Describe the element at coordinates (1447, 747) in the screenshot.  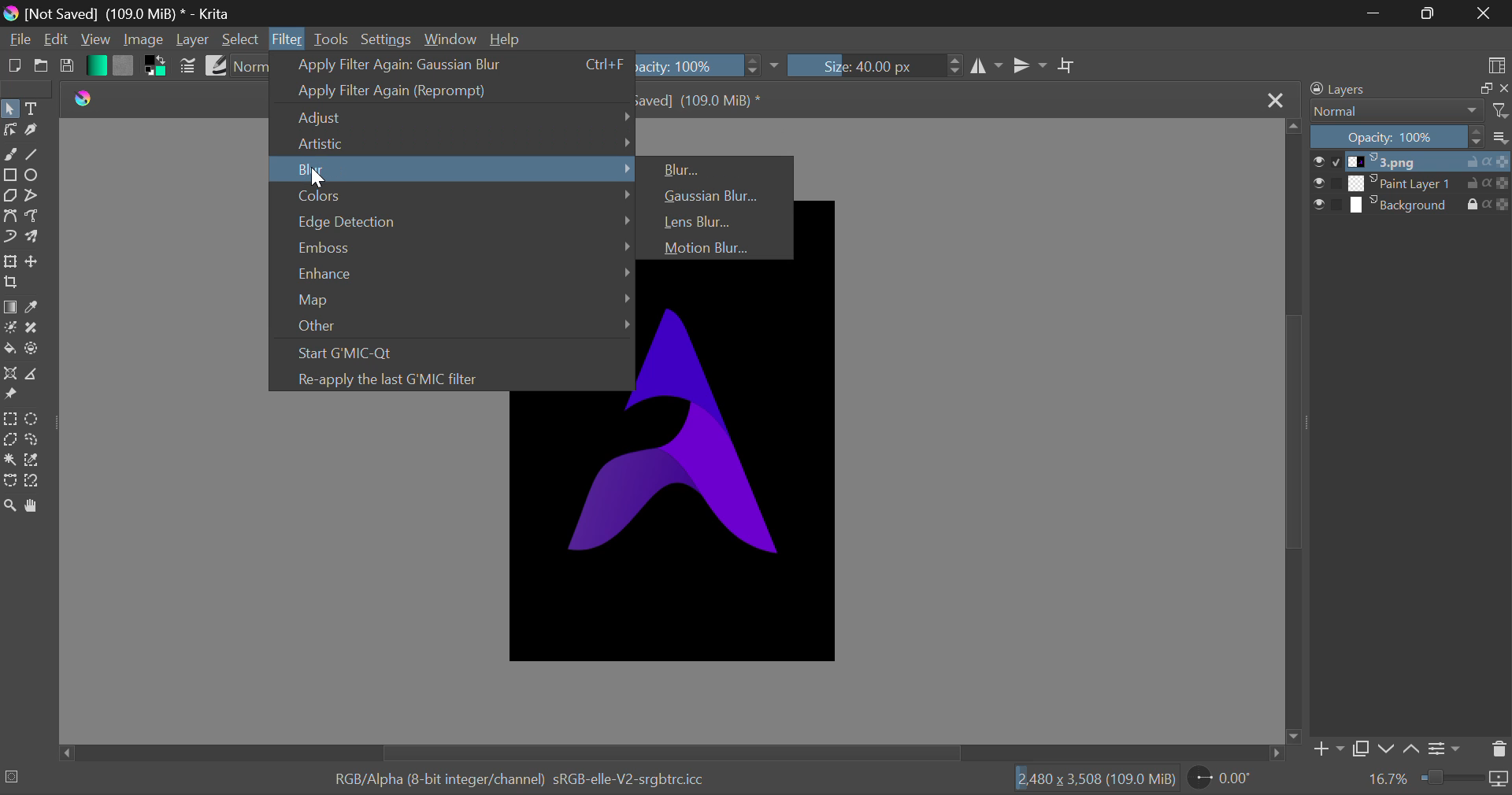
I see `Settings` at that location.